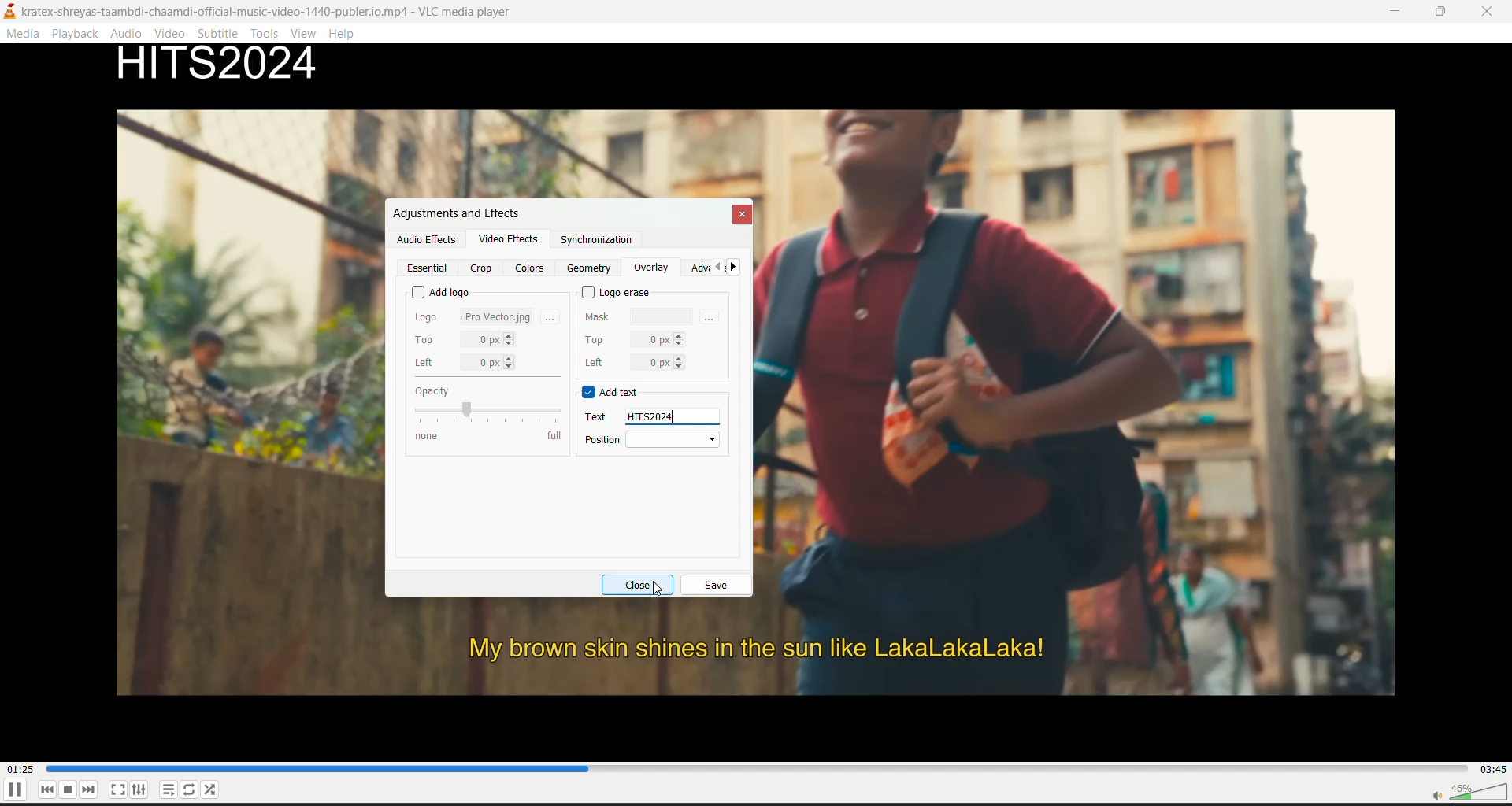 This screenshot has height=806, width=1512. Describe the element at coordinates (345, 34) in the screenshot. I see `help` at that location.